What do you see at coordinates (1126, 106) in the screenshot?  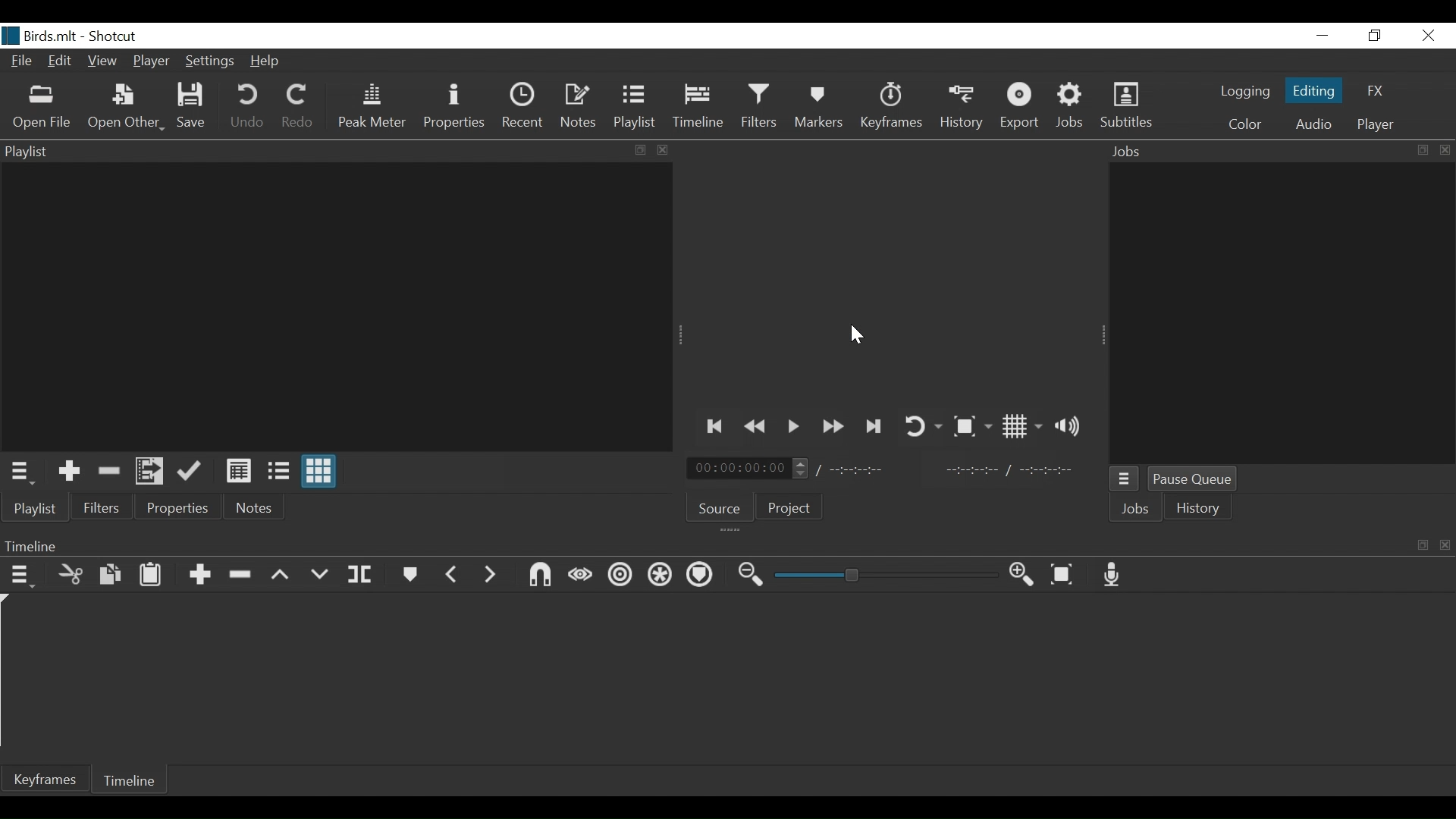 I see `Subtitles` at bounding box center [1126, 106].